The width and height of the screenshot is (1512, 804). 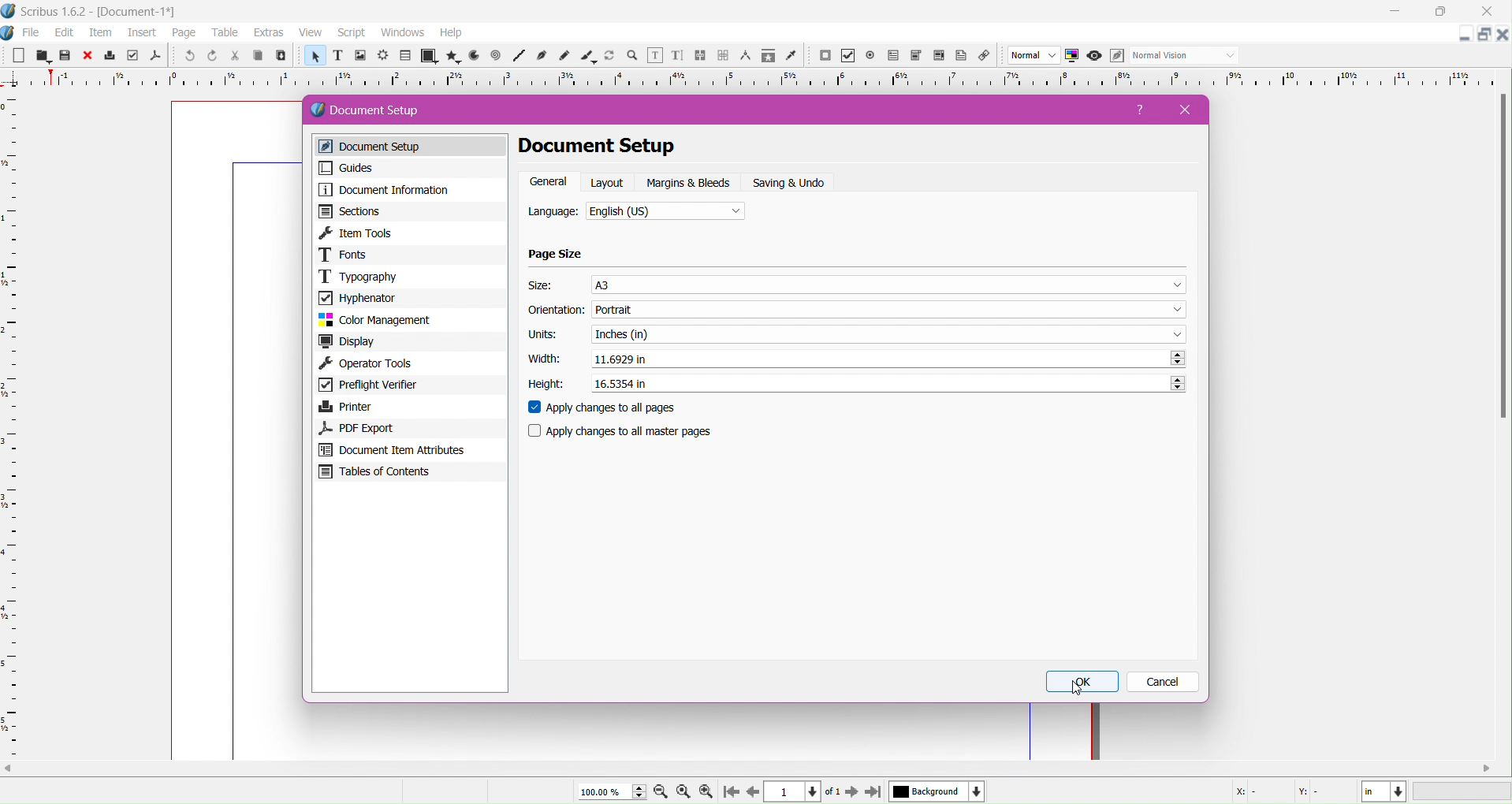 What do you see at coordinates (685, 792) in the screenshot?
I see `zoom to 100%` at bounding box center [685, 792].